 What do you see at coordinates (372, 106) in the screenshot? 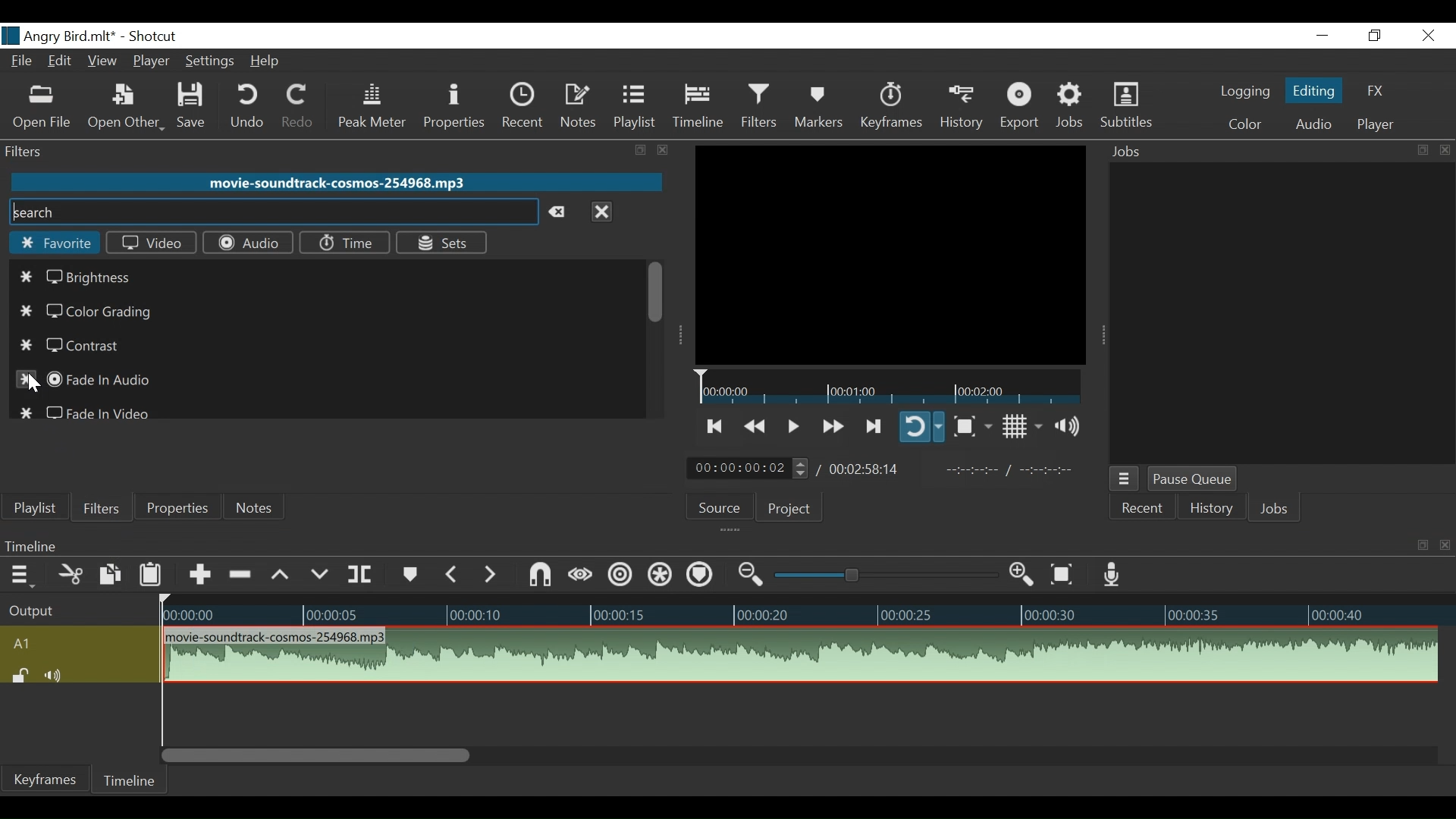
I see `Peak Meter` at bounding box center [372, 106].